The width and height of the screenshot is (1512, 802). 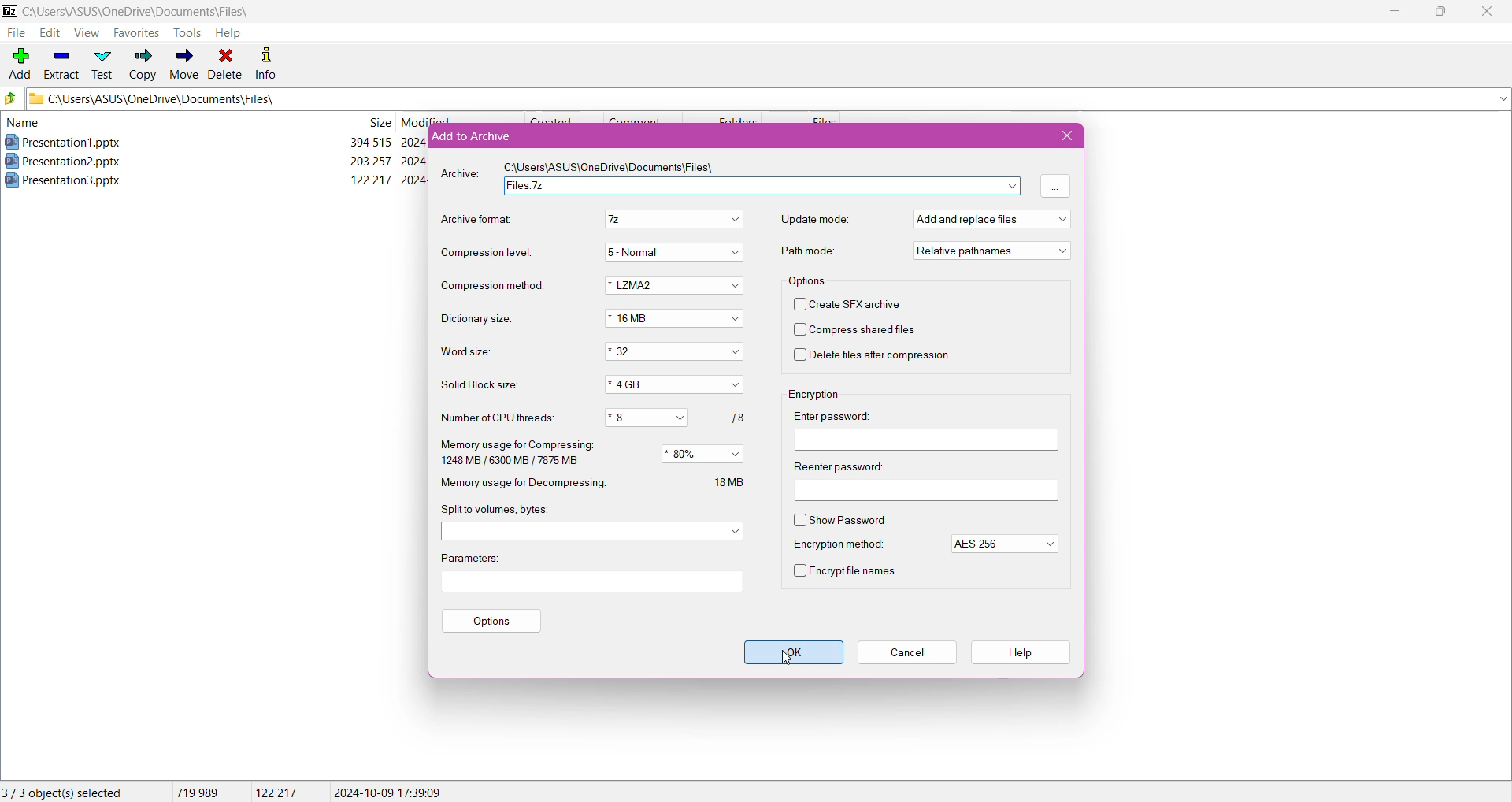 I want to click on Encryption method, so click(x=841, y=545).